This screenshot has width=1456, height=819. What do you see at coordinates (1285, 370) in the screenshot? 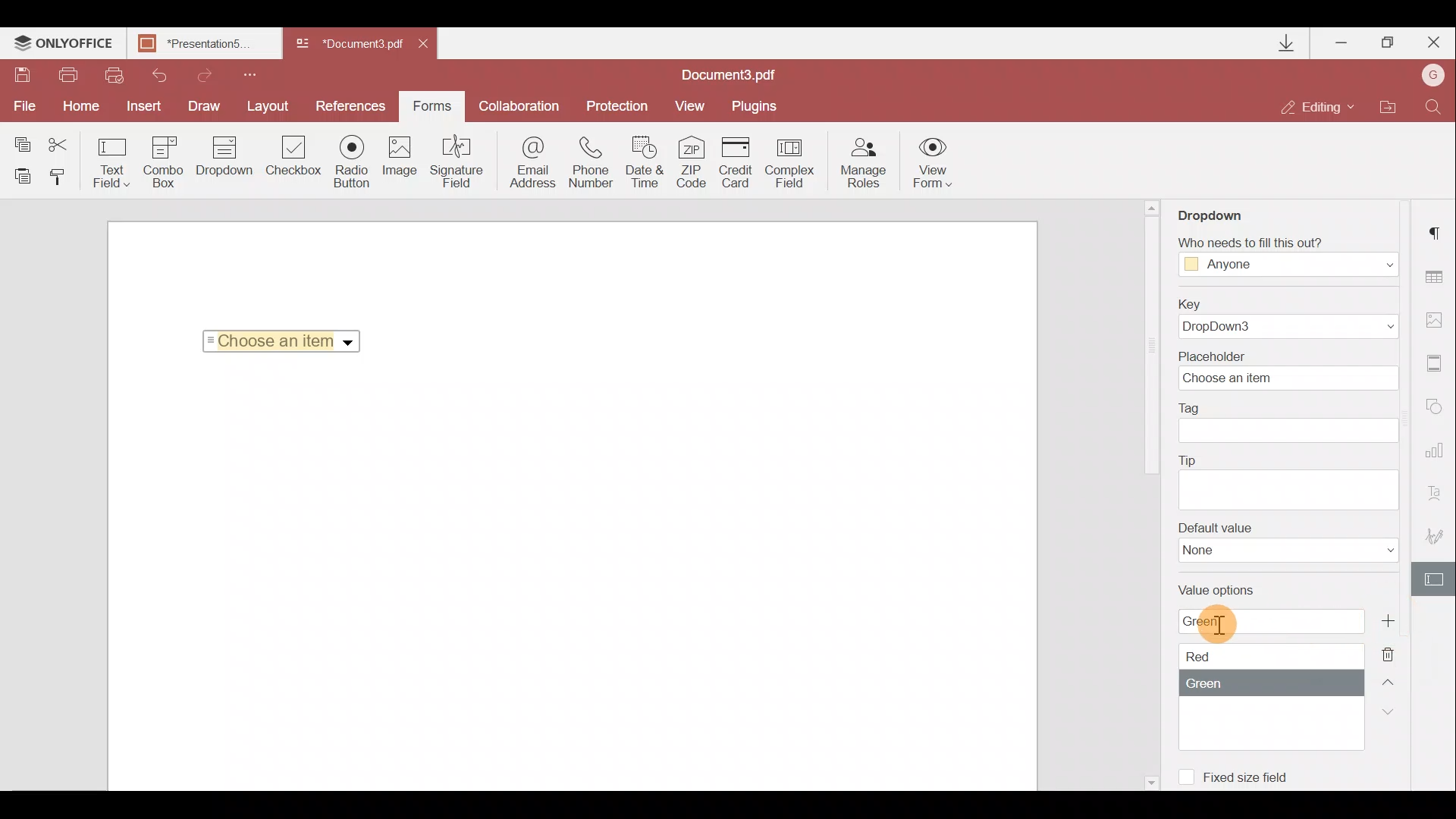
I see `Placeholder` at bounding box center [1285, 370].